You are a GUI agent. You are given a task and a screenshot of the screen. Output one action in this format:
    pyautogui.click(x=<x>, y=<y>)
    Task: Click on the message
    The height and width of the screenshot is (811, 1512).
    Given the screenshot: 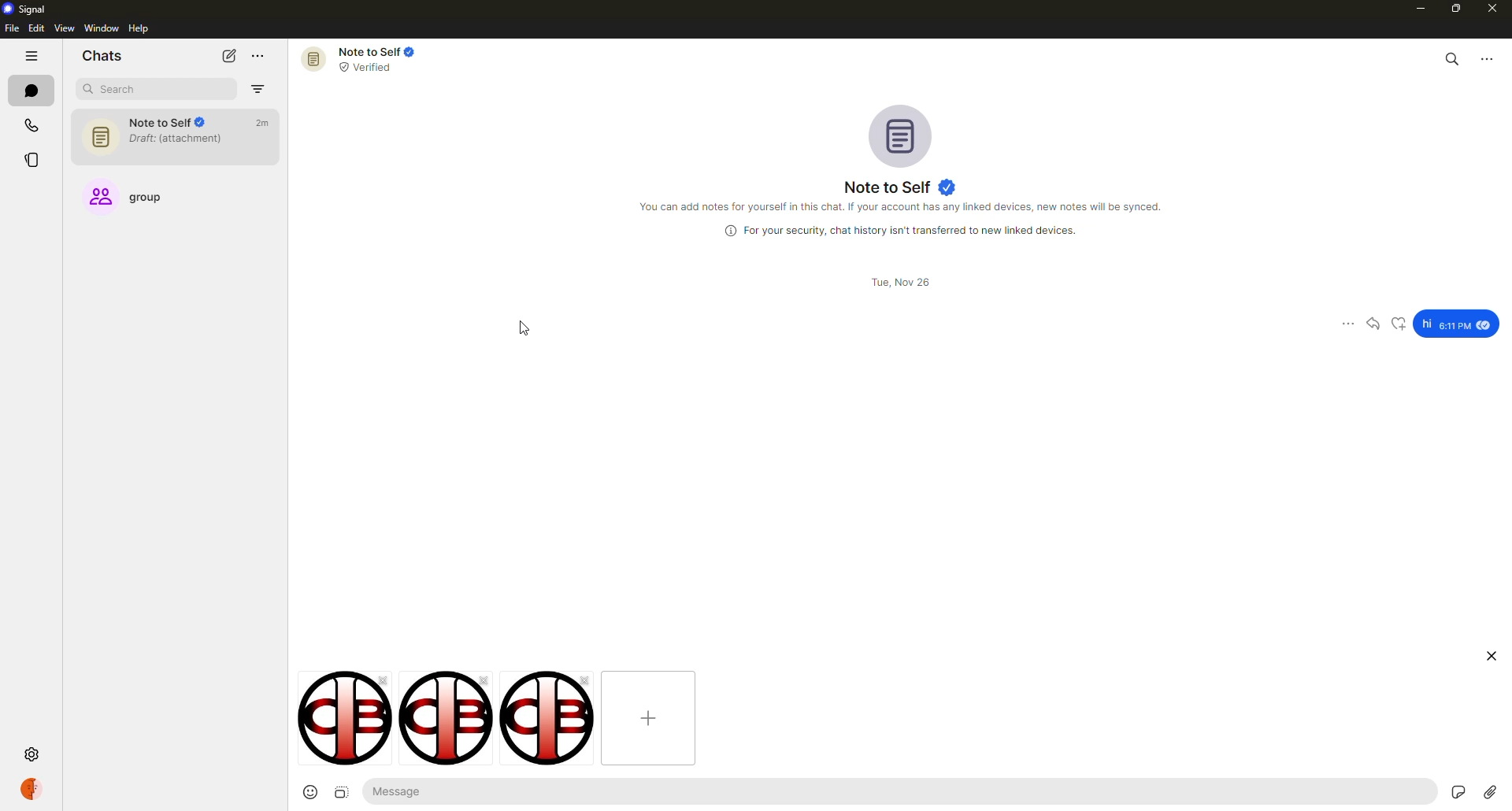 What is the action you would take?
    pyautogui.click(x=1458, y=324)
    